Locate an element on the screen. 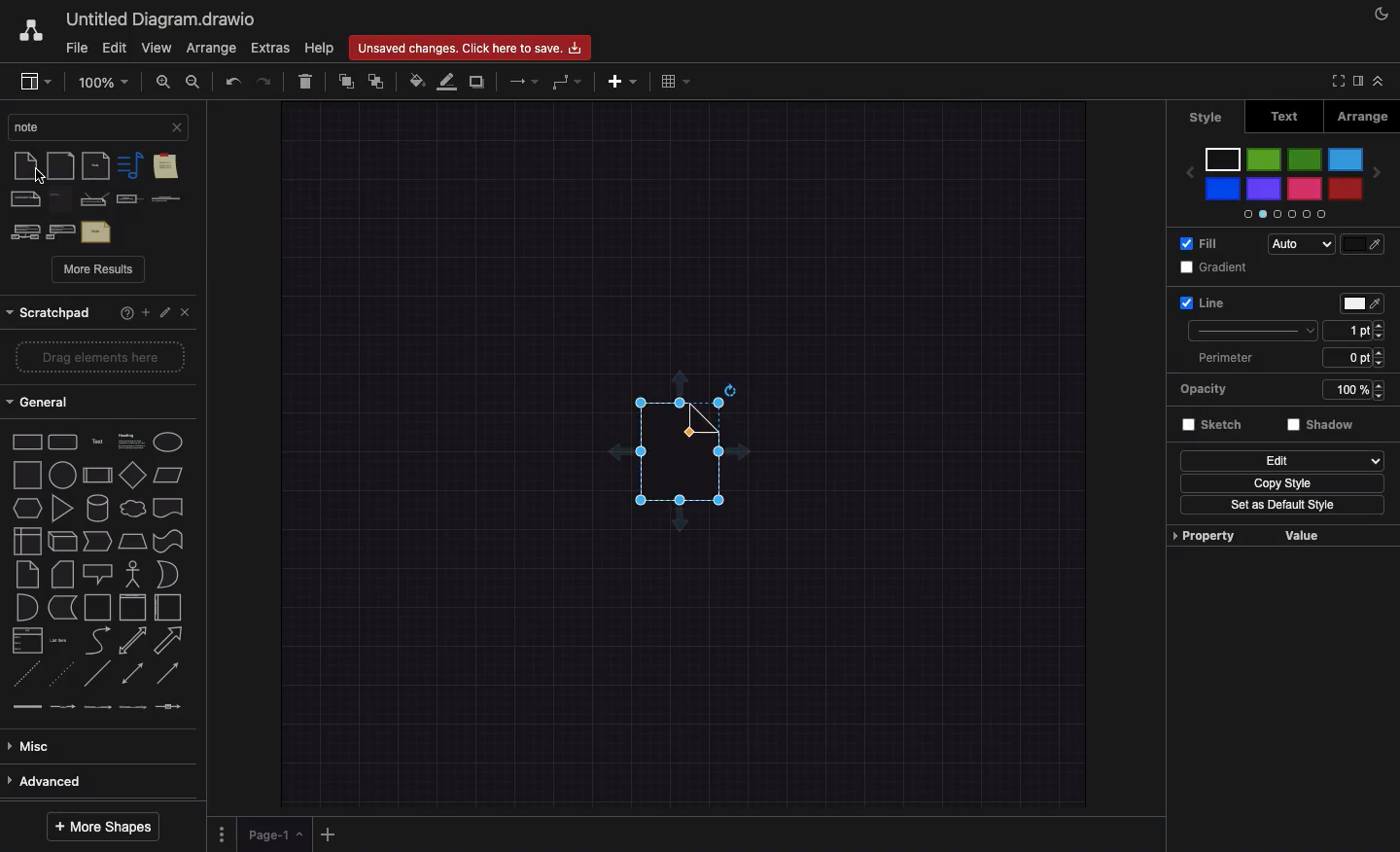 This screenshot has height=852, width=1400. sketch is located at coordinates (1214, 427).